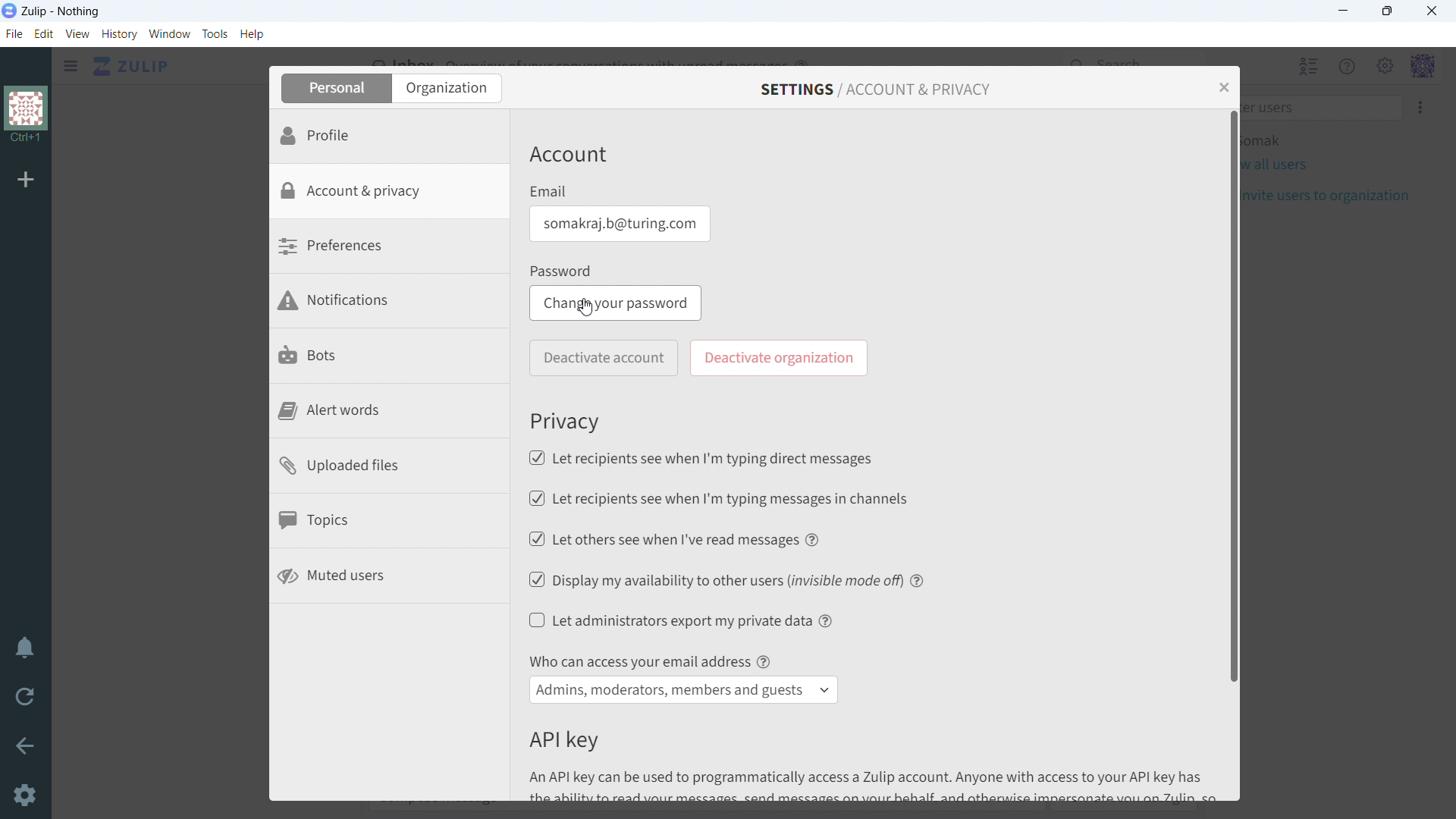  Describe the element at coordinates (446, 88) in the screenshot. I see `organization` at that location.